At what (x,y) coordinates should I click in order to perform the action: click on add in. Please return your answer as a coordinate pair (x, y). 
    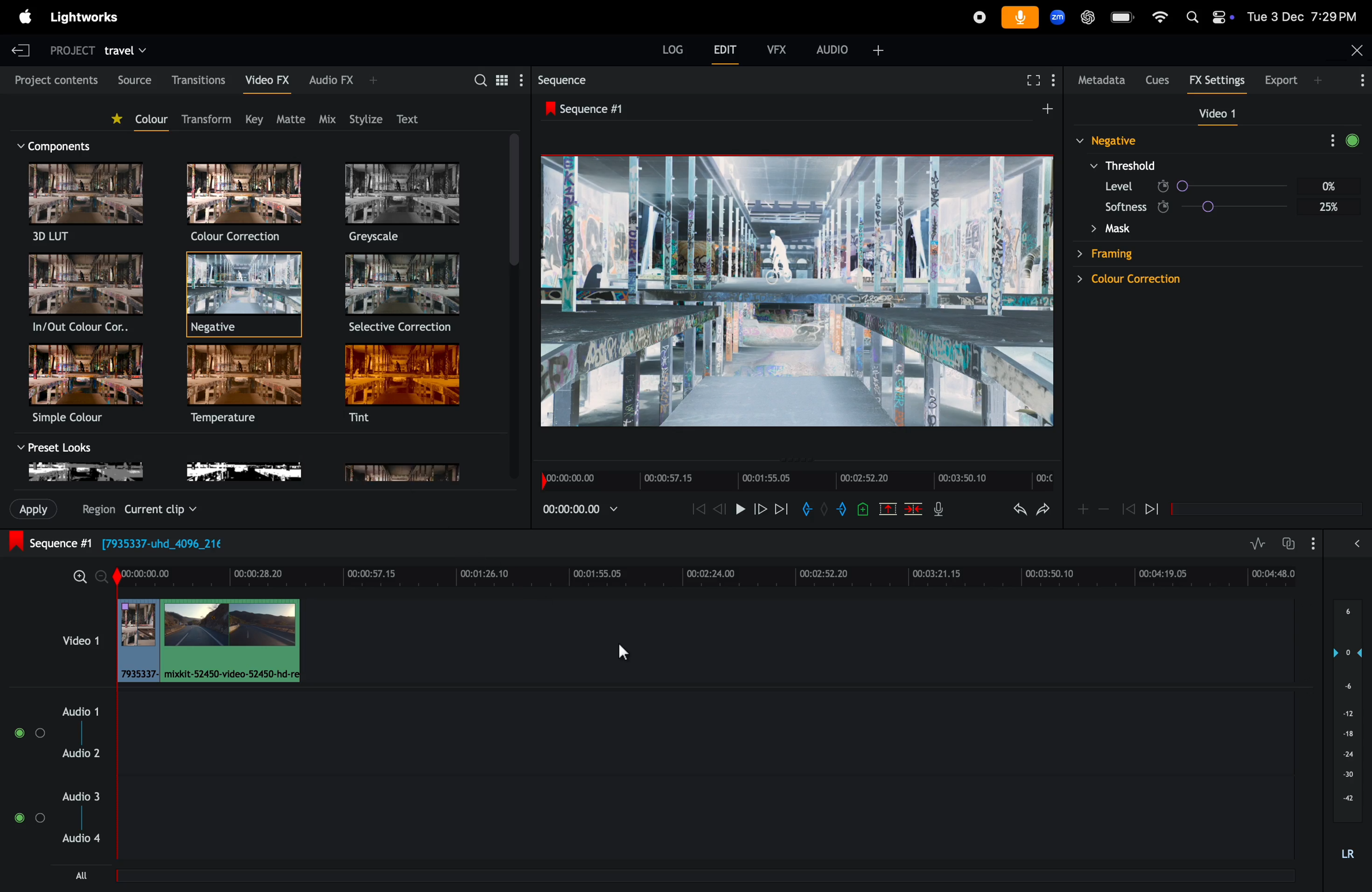
    Looking at the image, I should click on (806, 510).